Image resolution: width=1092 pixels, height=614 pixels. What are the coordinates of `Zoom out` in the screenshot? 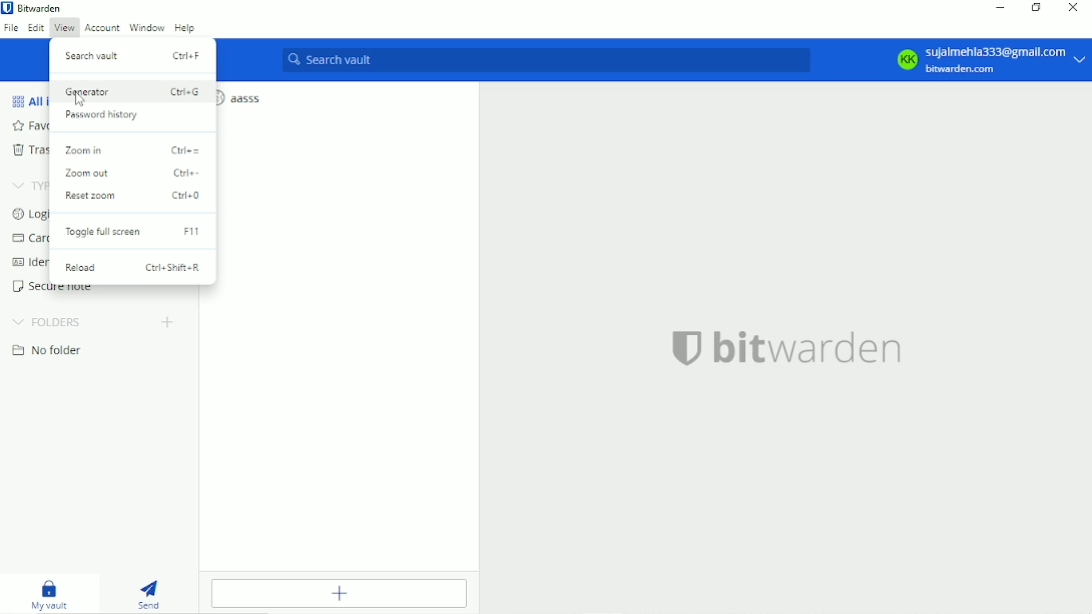 It's located at (134, 173).